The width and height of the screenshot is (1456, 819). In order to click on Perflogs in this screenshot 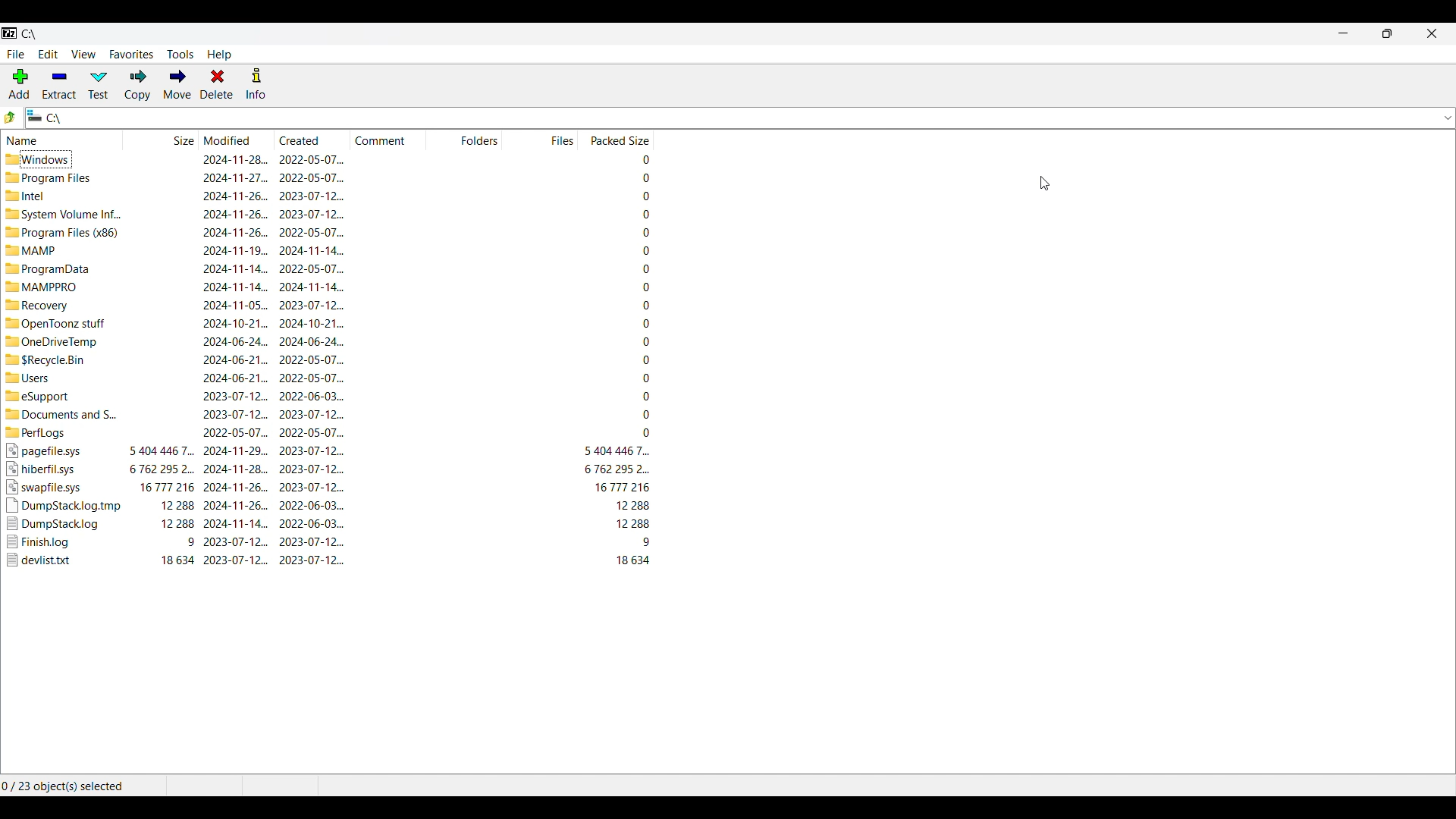, I will do `click(58, 432)`.